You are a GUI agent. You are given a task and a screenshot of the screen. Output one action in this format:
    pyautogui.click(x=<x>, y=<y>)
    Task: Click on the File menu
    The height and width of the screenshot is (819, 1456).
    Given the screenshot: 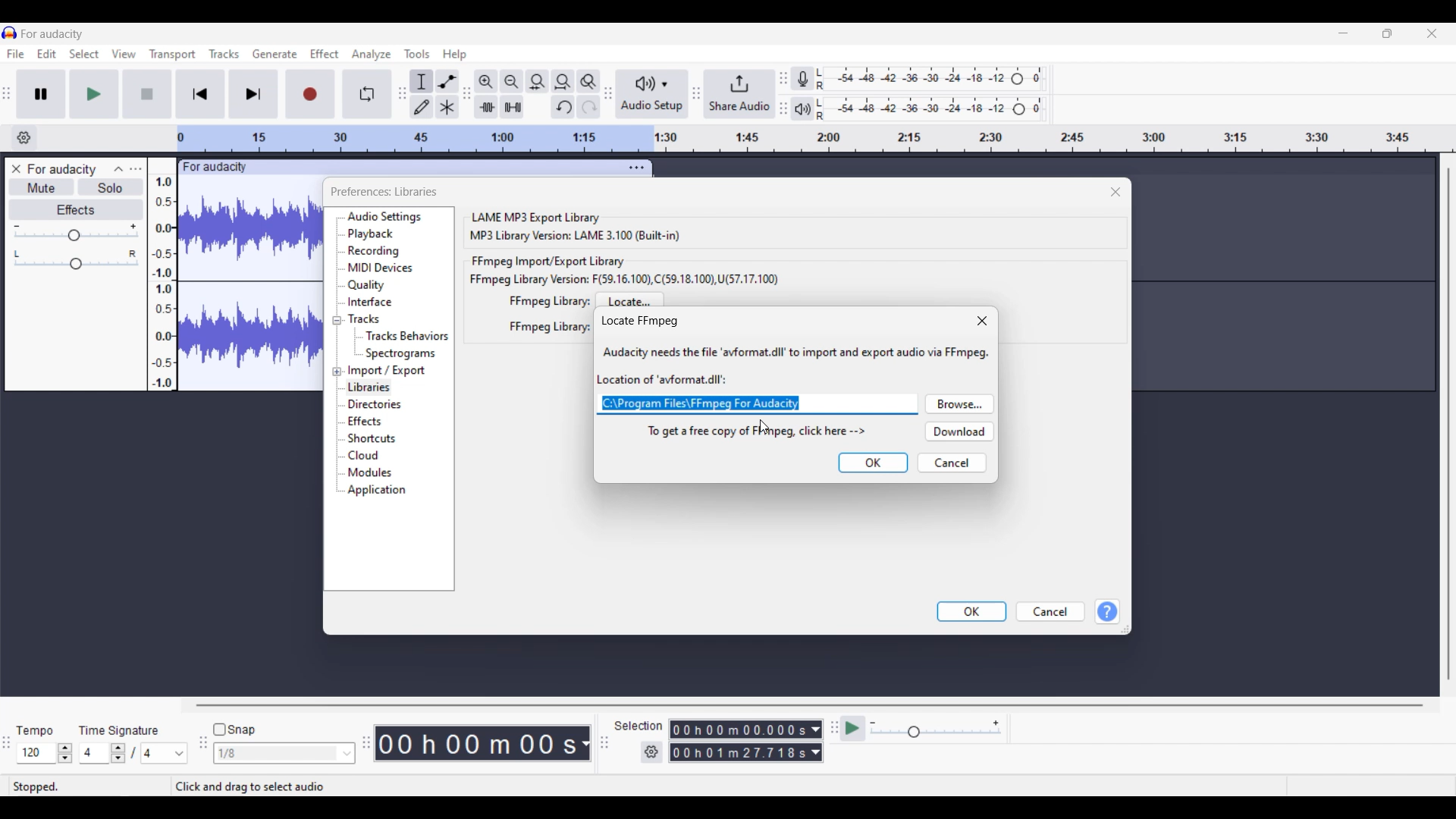 What is the action you would take?
    pyautogui.click(x=15, y=54)
    